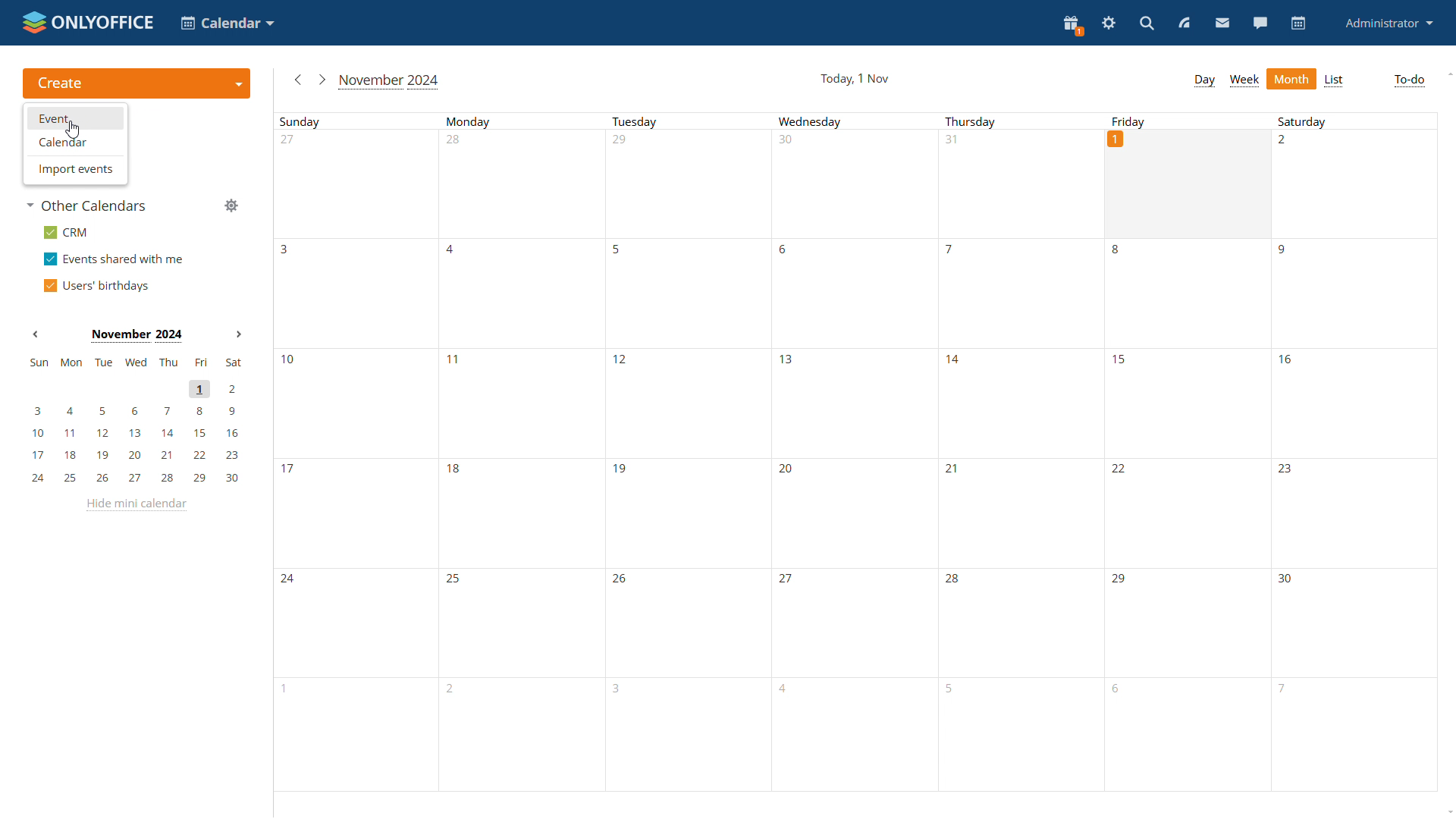 This screenshot has width=1456, height=819. Describe the element at coordinates (391, 81) in the screenshot. I see `current month ` at that location.